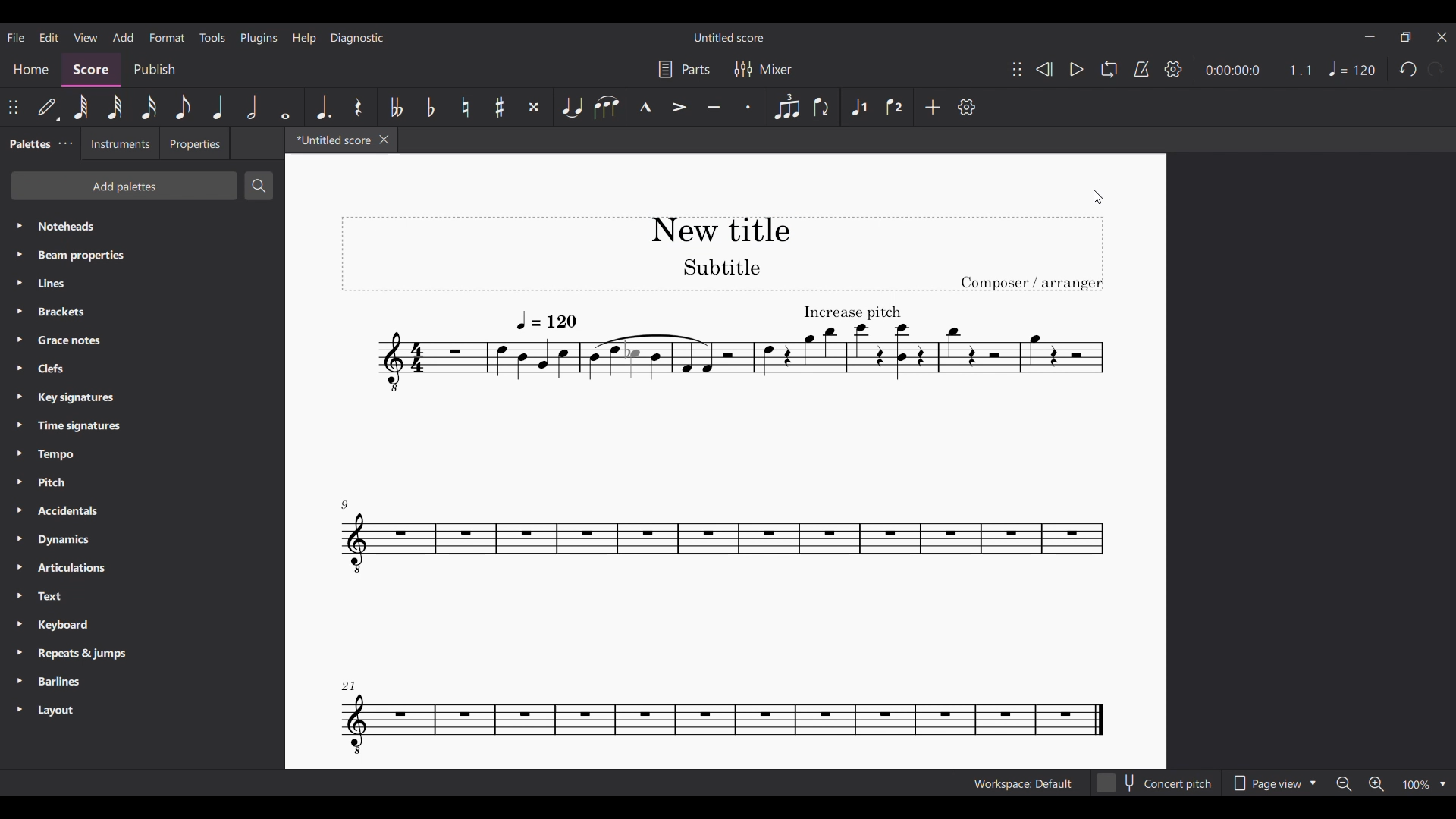 The width and height of the screenshot is (1456, 819). What do you see at coordinates (1141, 69) in the screenshot?
I see `Metronome` at bounding box center [1141, 69].